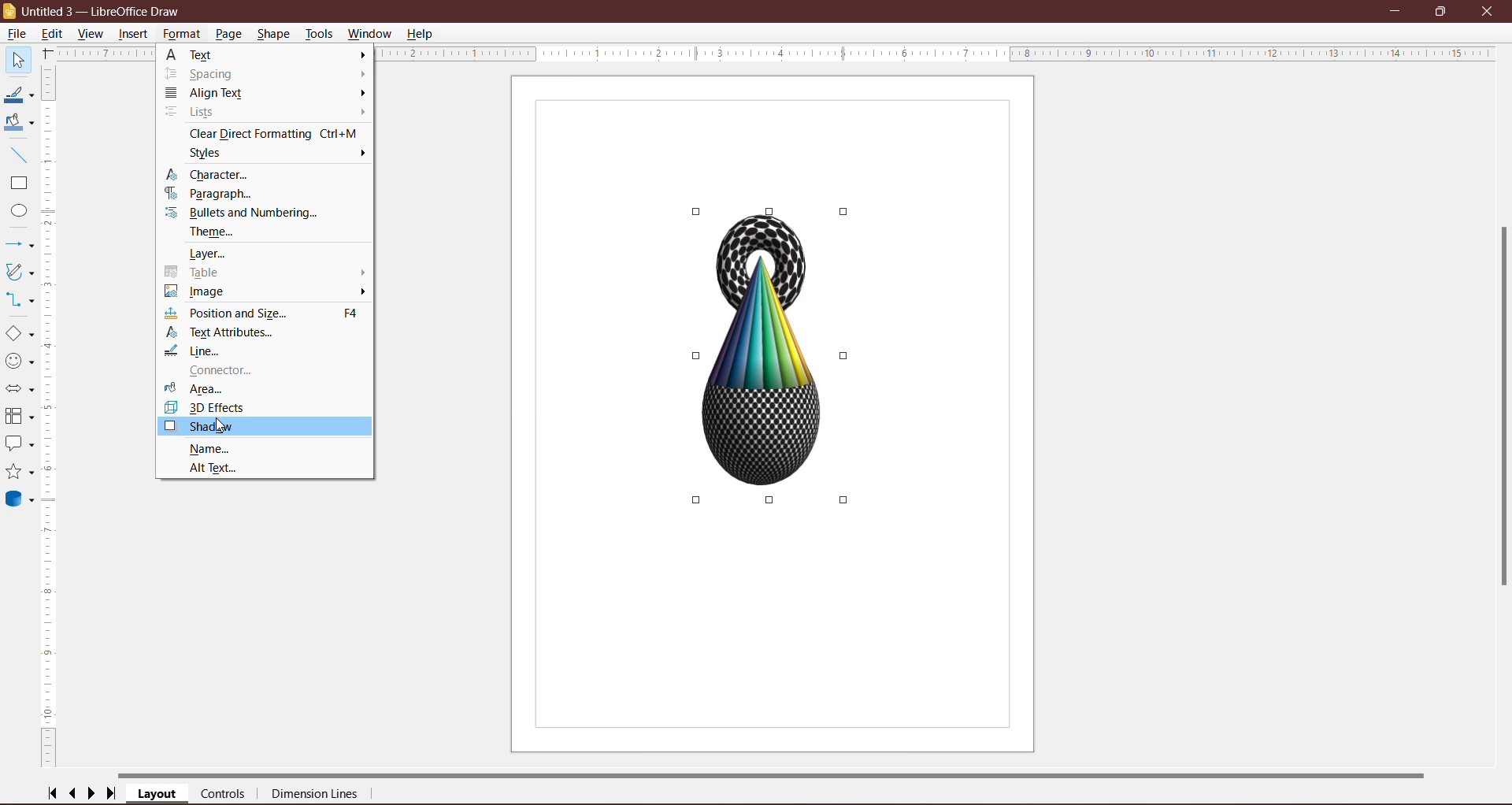  Describe the element at coordinates (216, 154) in the screenshot. I see `Styles` at that location.